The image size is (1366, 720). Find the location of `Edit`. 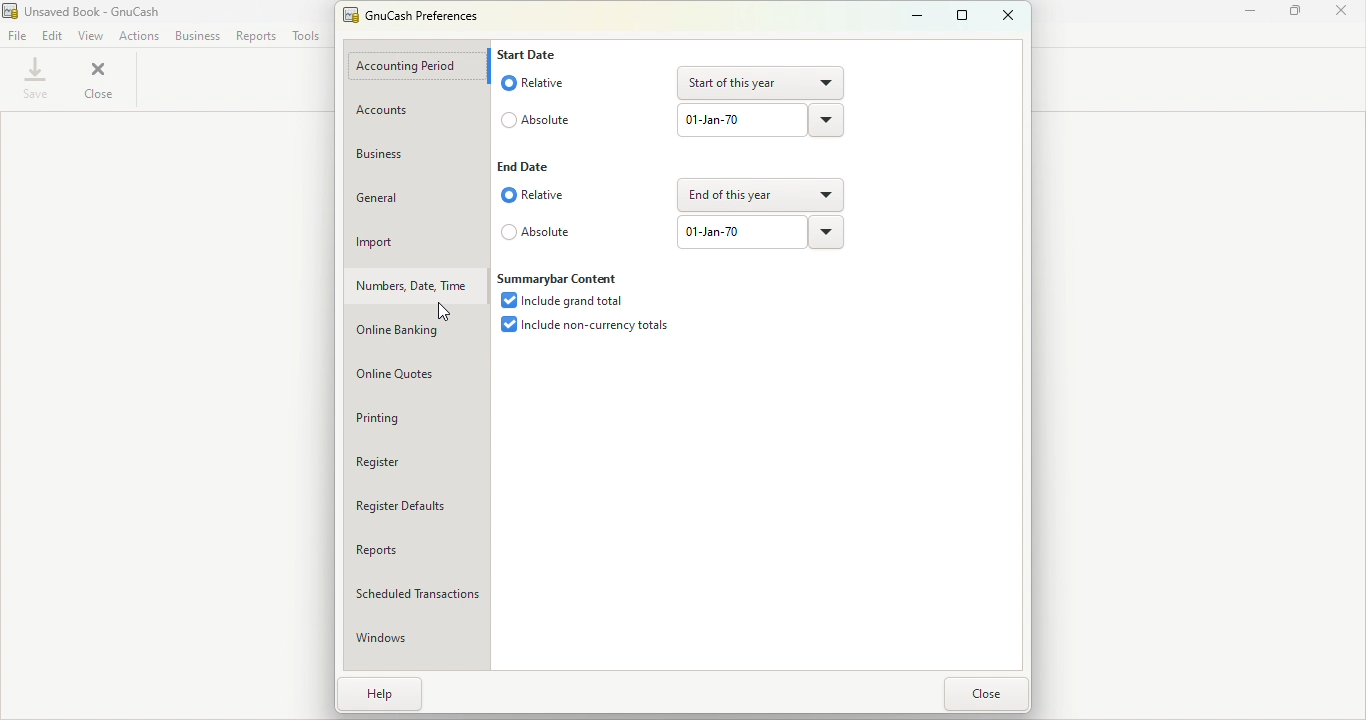

Edit is located at coordinates (53, 34).